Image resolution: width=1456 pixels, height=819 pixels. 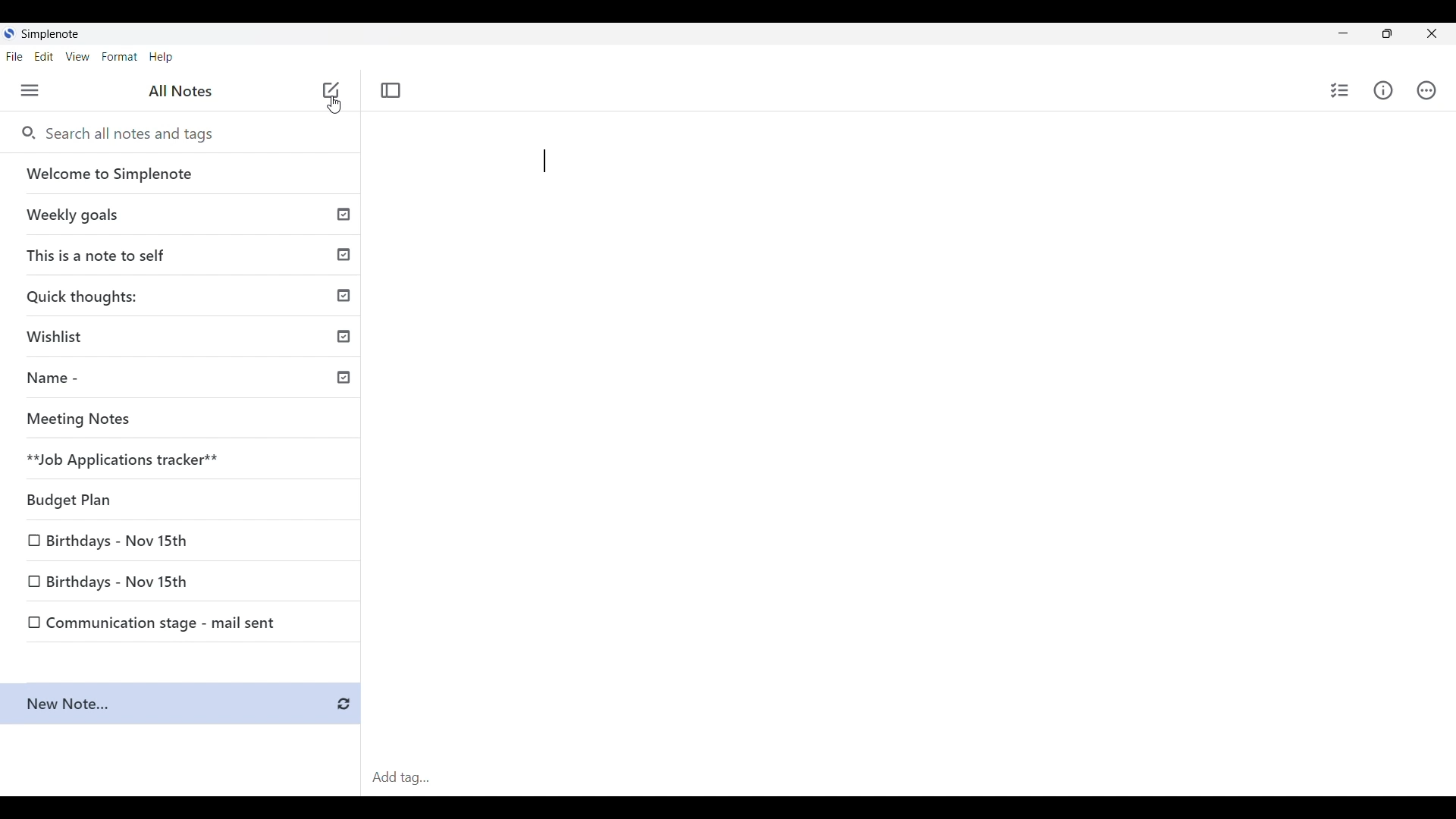 I want to click on Welcome to Simplenote, so click(x=185, y=174).